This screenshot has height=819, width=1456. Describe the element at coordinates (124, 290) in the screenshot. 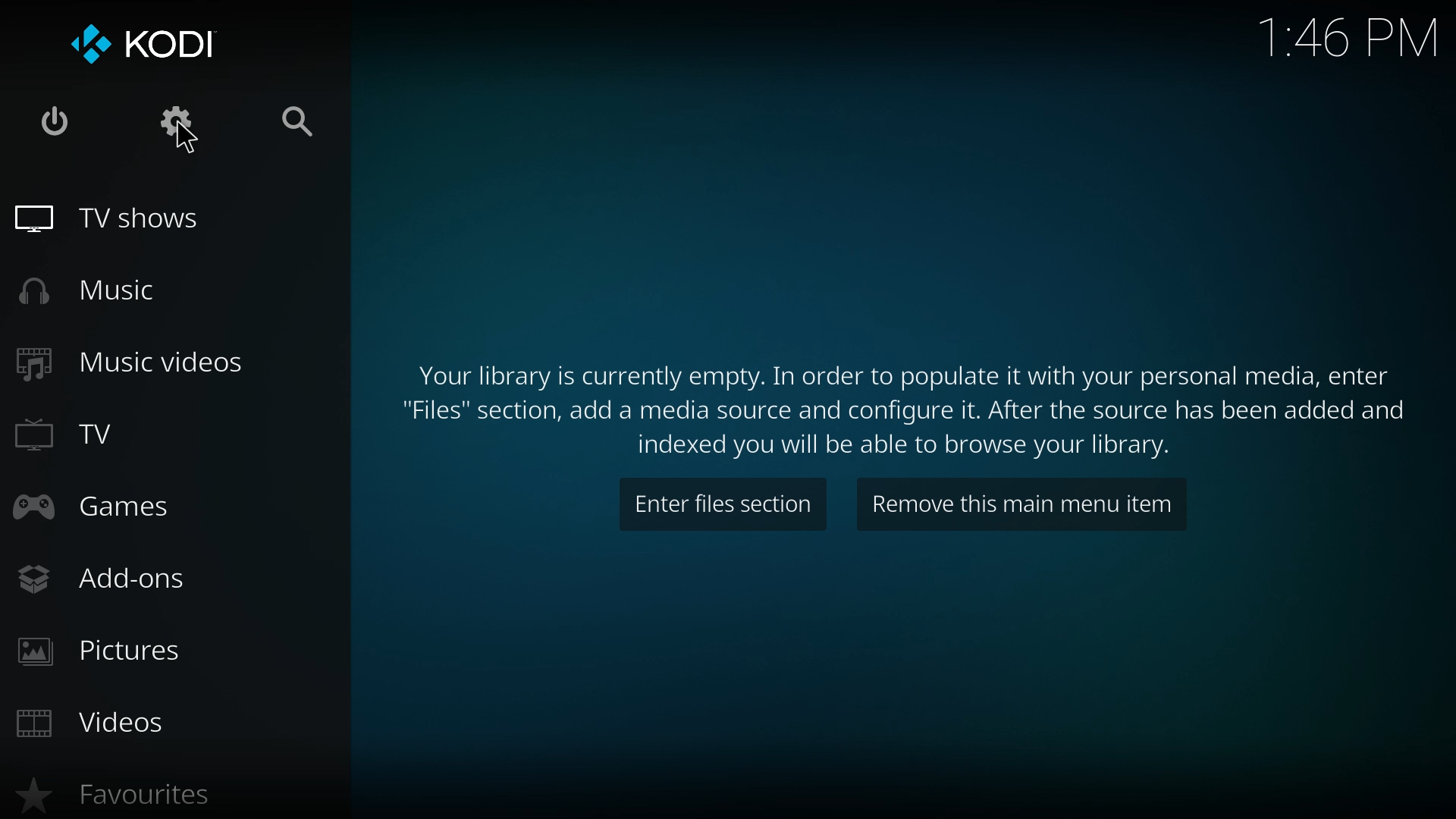

I see `music` at that location.